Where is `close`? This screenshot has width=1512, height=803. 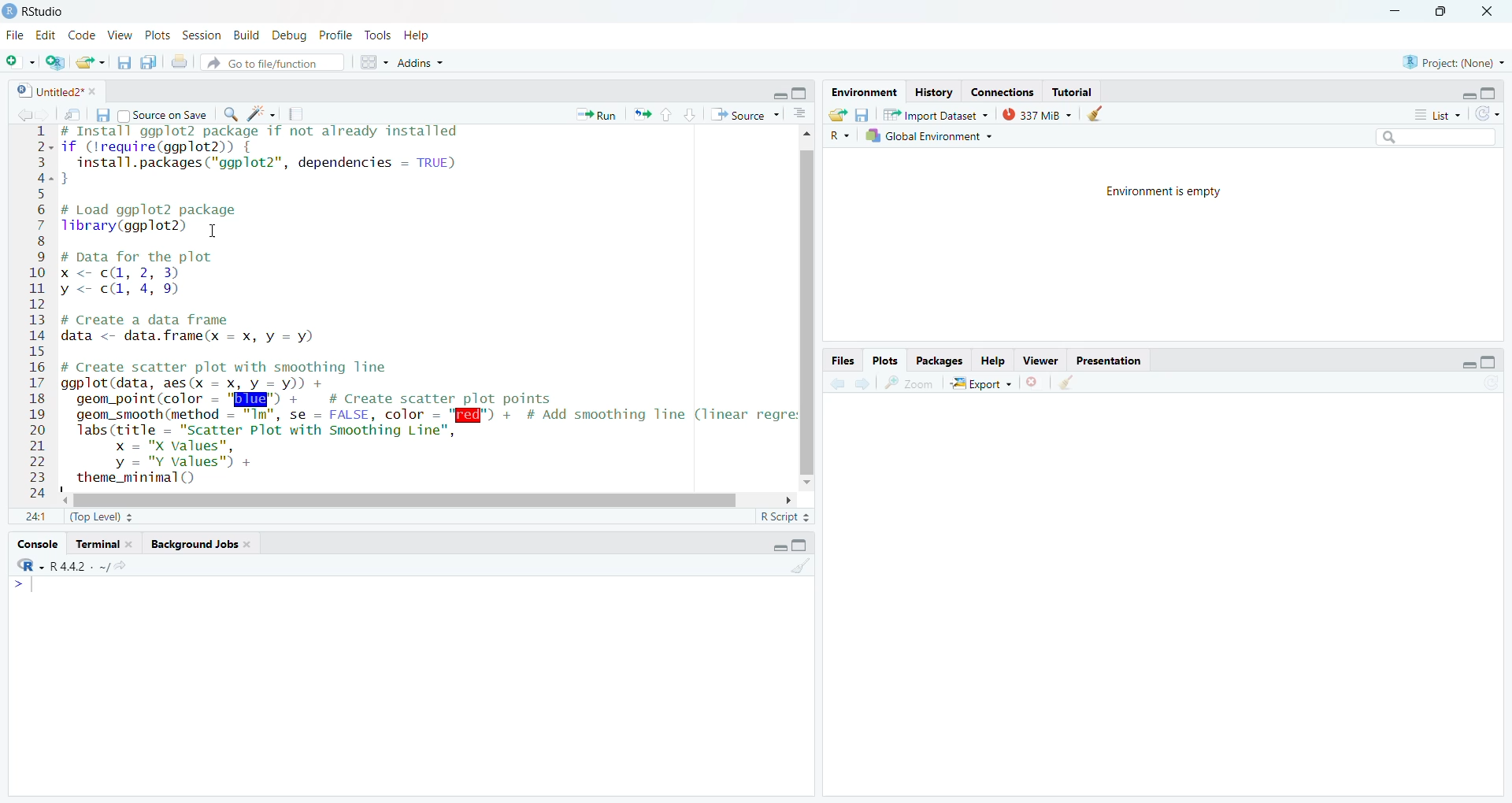
close is located at coordinates (1492, 12).